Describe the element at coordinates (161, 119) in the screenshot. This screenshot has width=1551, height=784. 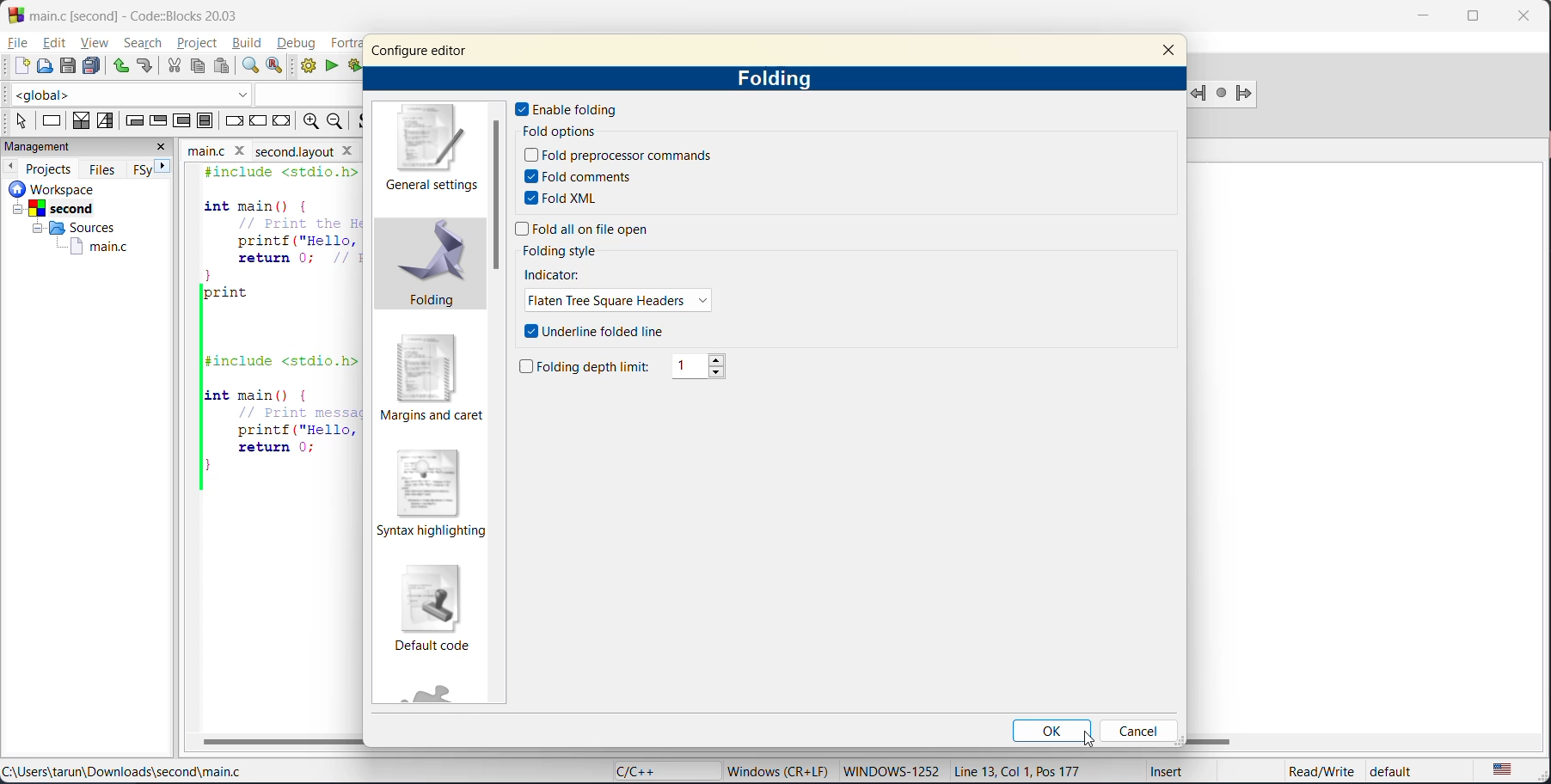
I see `exit condition loop` at that location.